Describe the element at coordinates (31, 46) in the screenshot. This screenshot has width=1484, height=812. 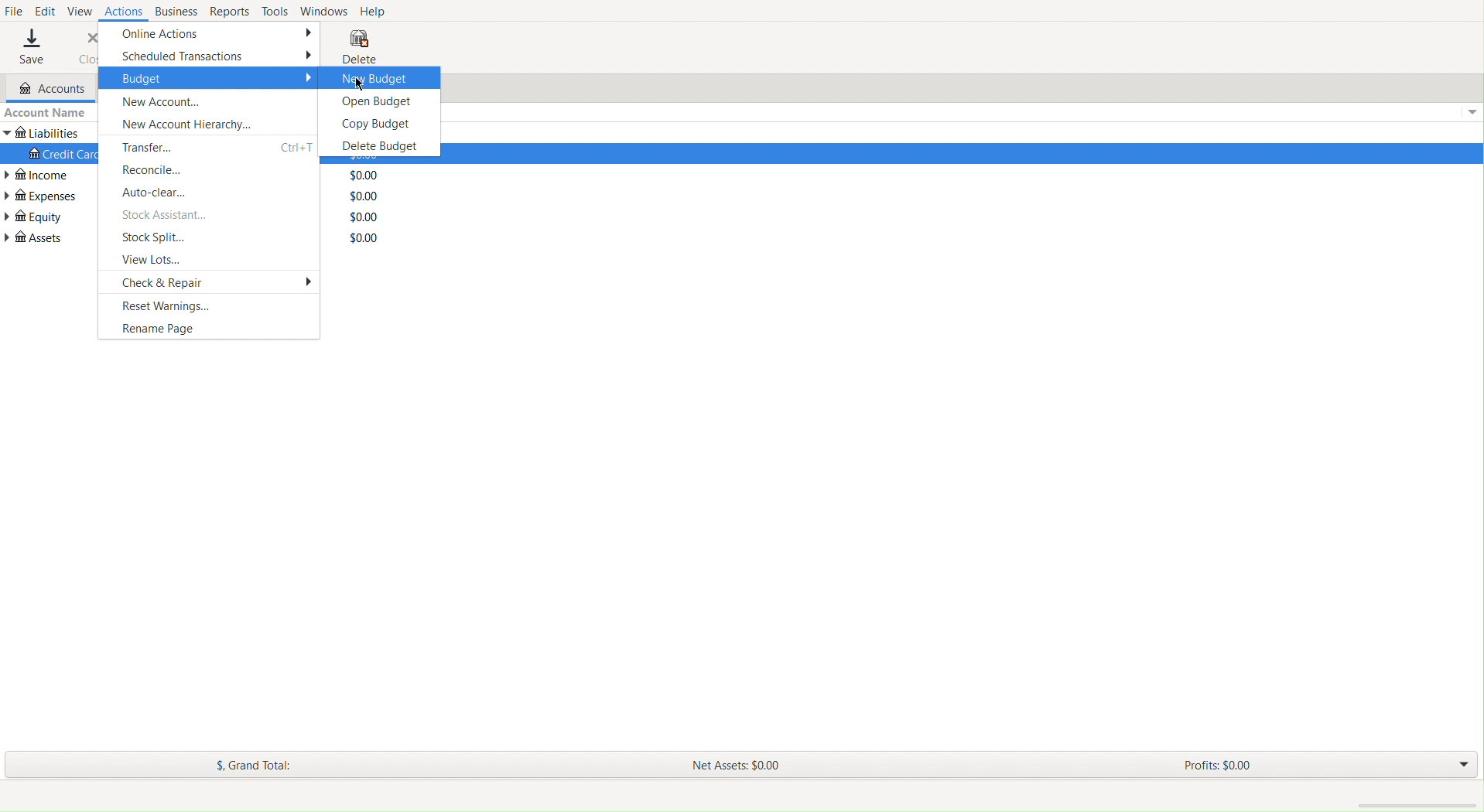
I see `Save` at that location.